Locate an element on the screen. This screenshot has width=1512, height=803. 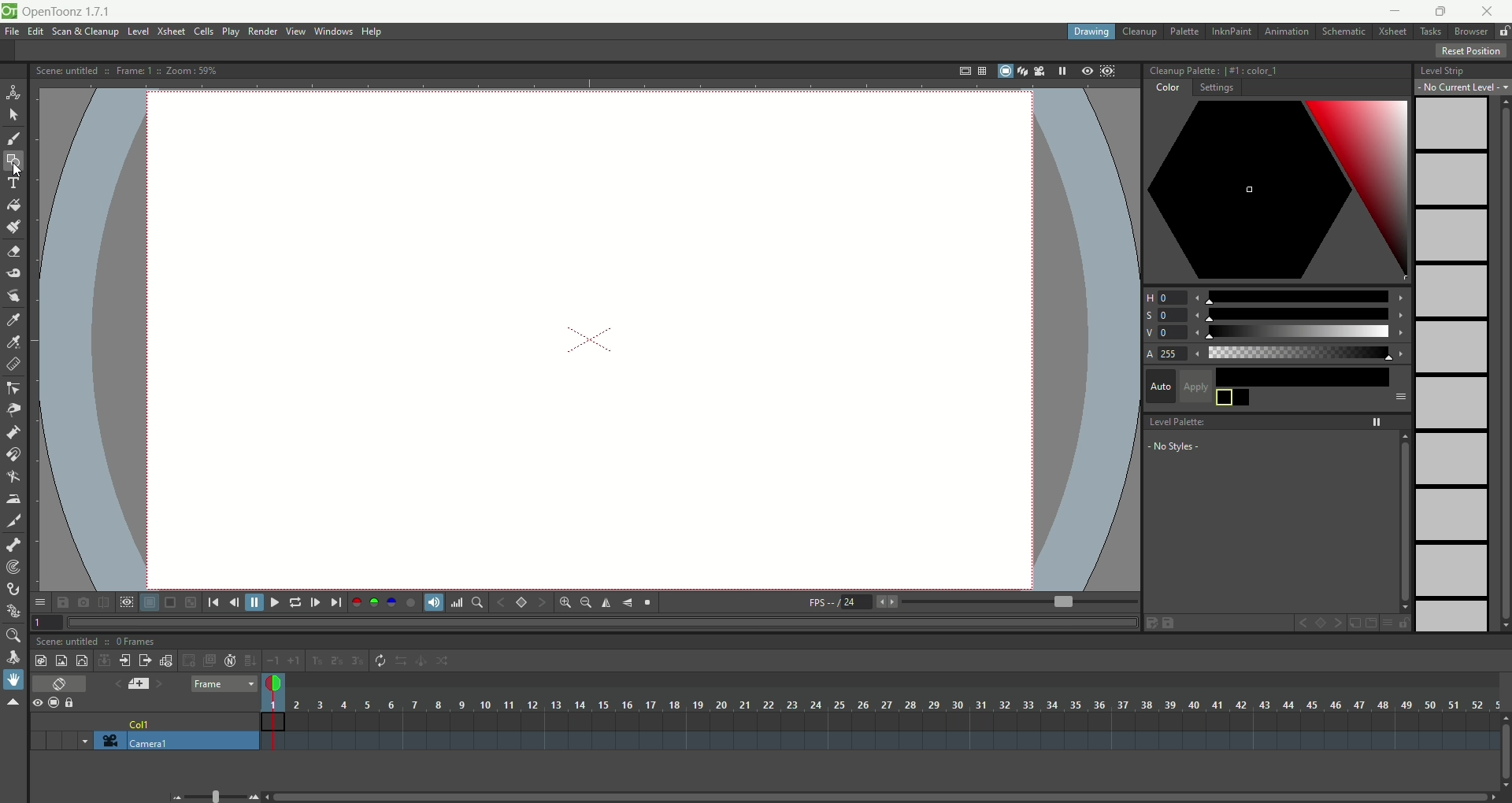
settings is located at coordinates (1216, 90).